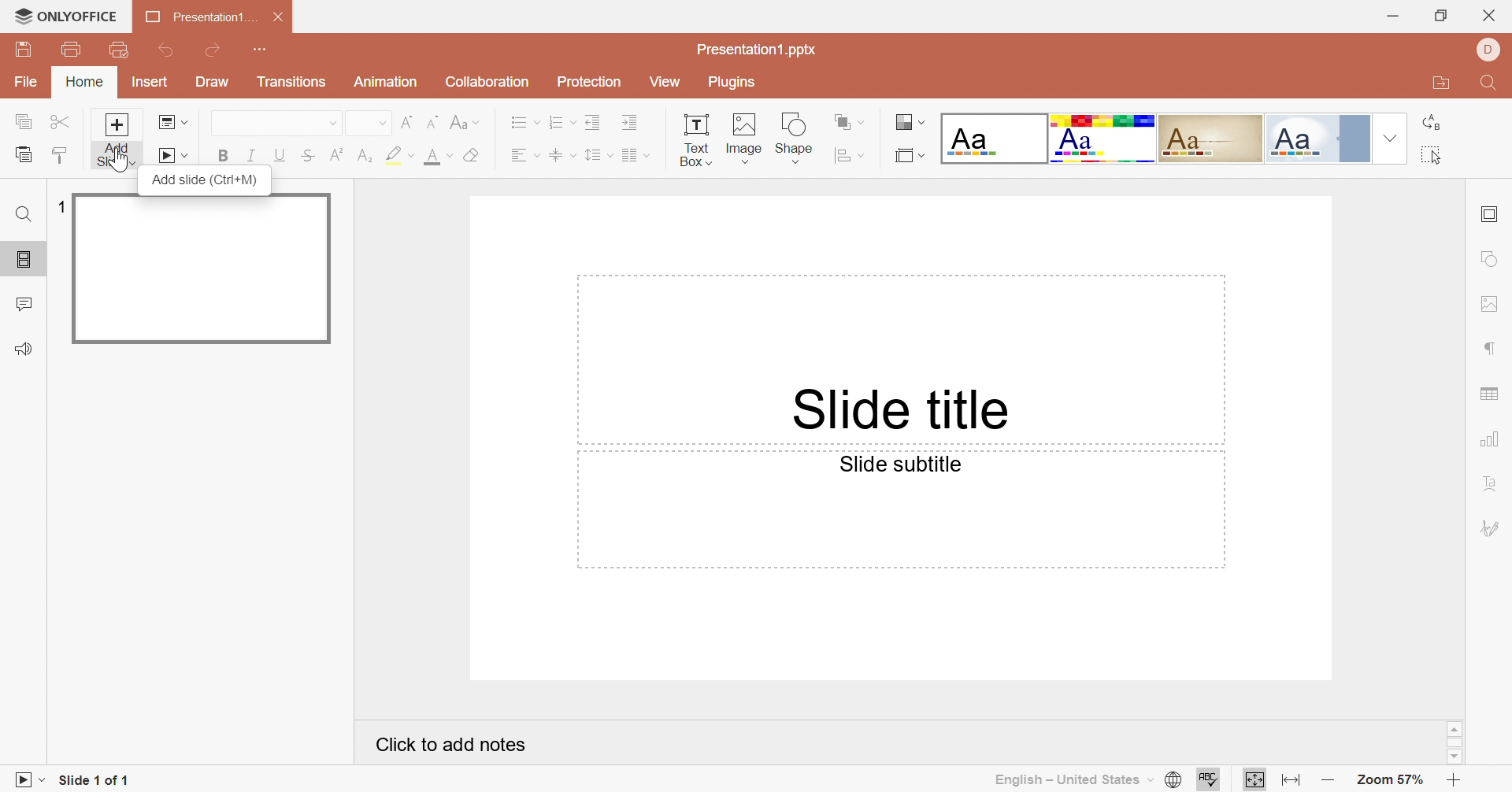 This screenshot has width=1512, height=792. I want to click on Text Art settings, so click(1492, 483).